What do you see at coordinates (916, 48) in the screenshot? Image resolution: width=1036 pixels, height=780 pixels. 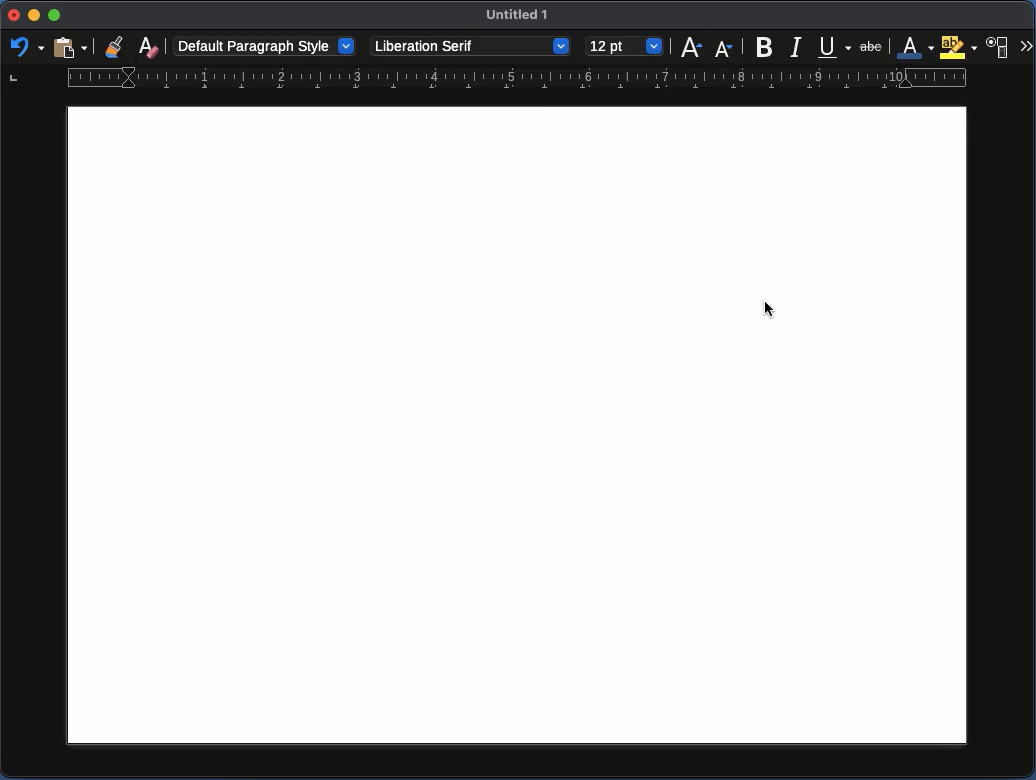 I see `Font color` at bounding box center [916, 48].